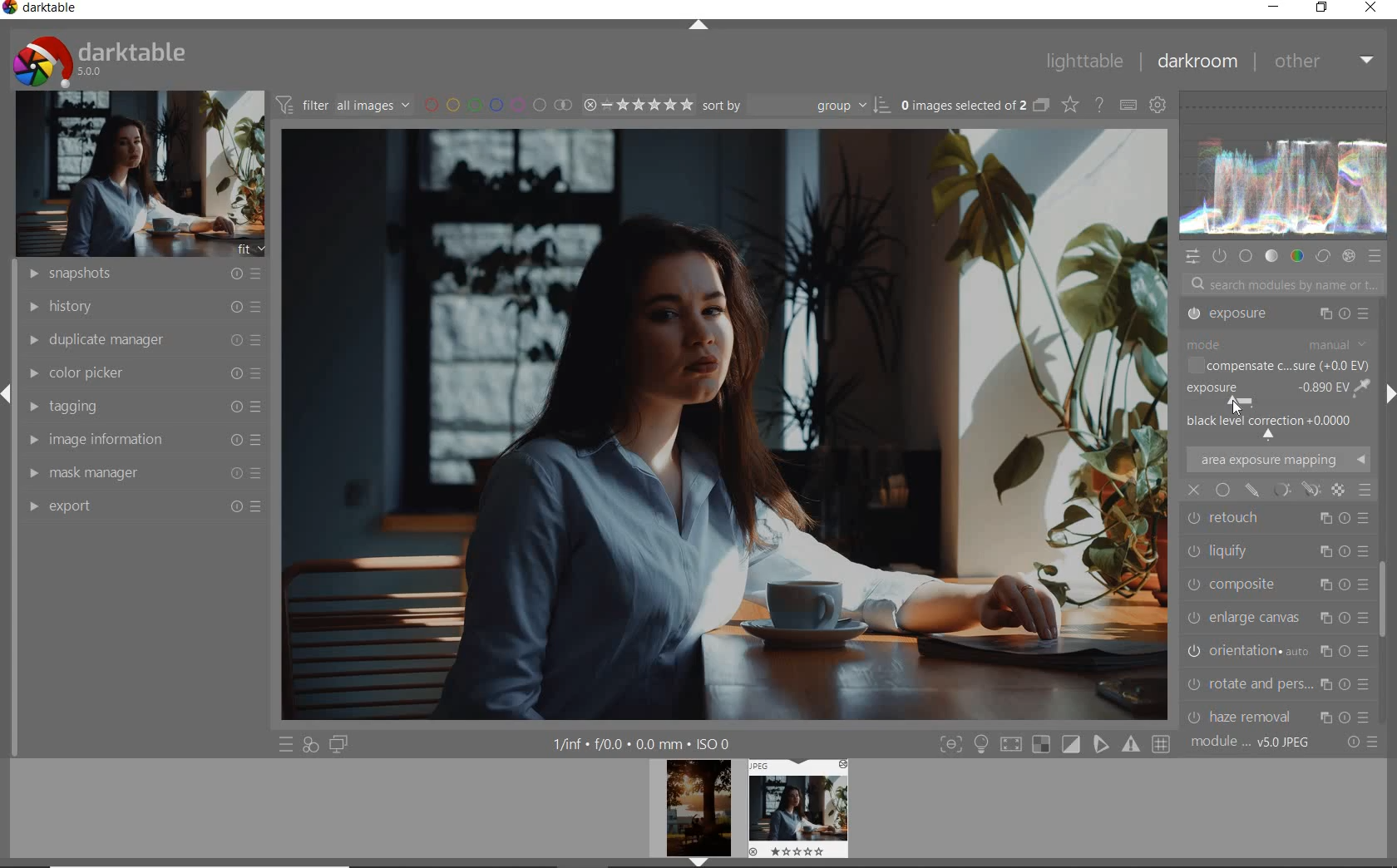  What do you see at coordinates (643, 744) in the screenshot?
I see `OTHER INTERFACE DETAILS` at bounding box center [643, 744].